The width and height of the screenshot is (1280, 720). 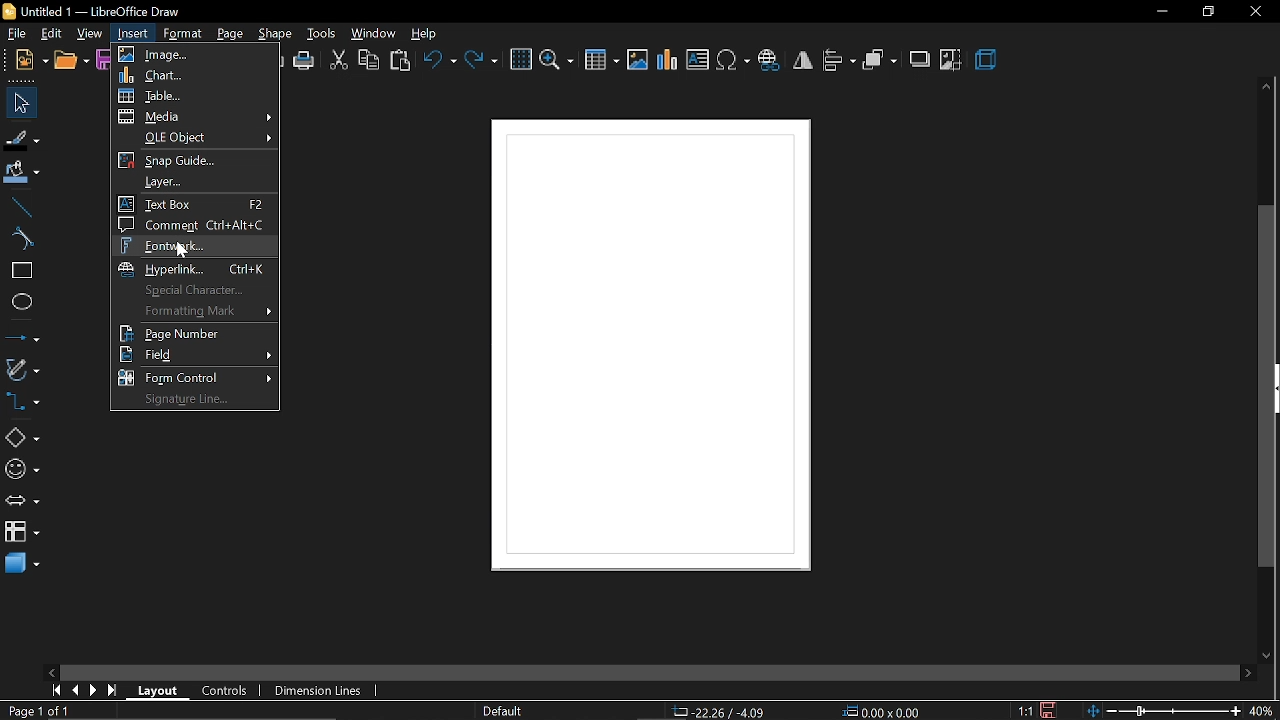 I want to click on fontwork, so click(x=194, y=246).